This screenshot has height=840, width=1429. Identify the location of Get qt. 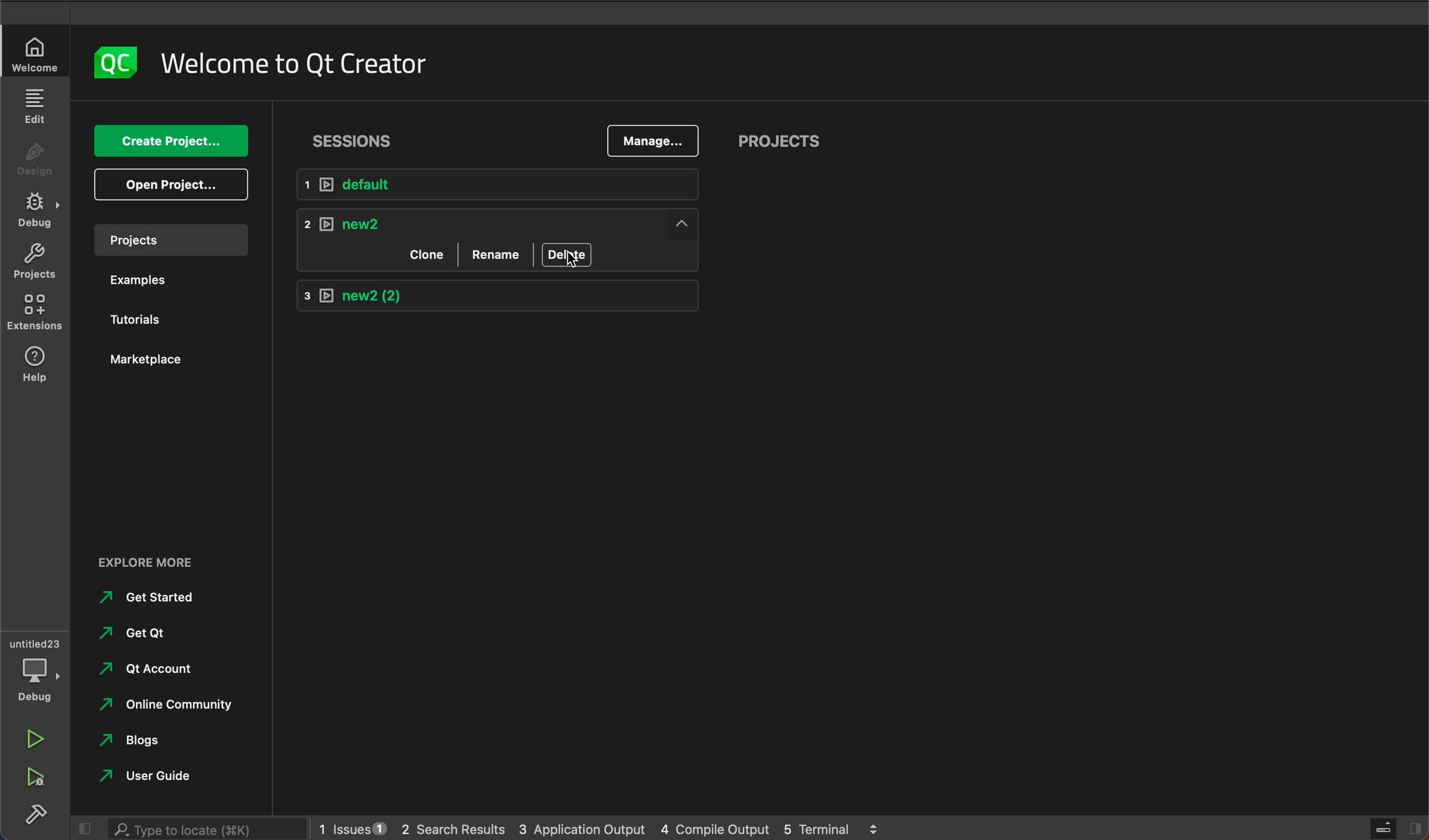
(142, 633).